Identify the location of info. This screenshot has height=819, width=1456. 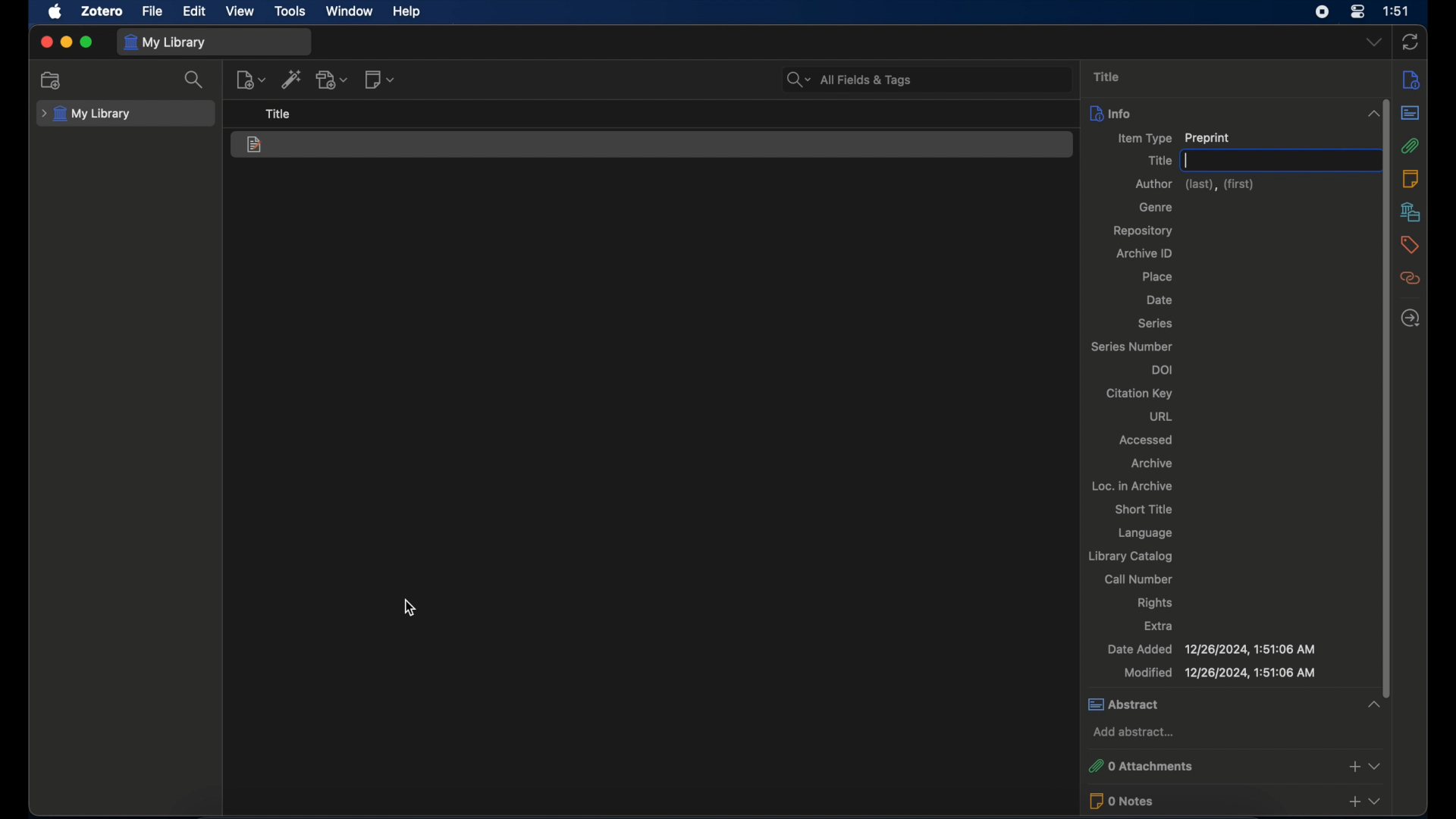
(1411, 81).